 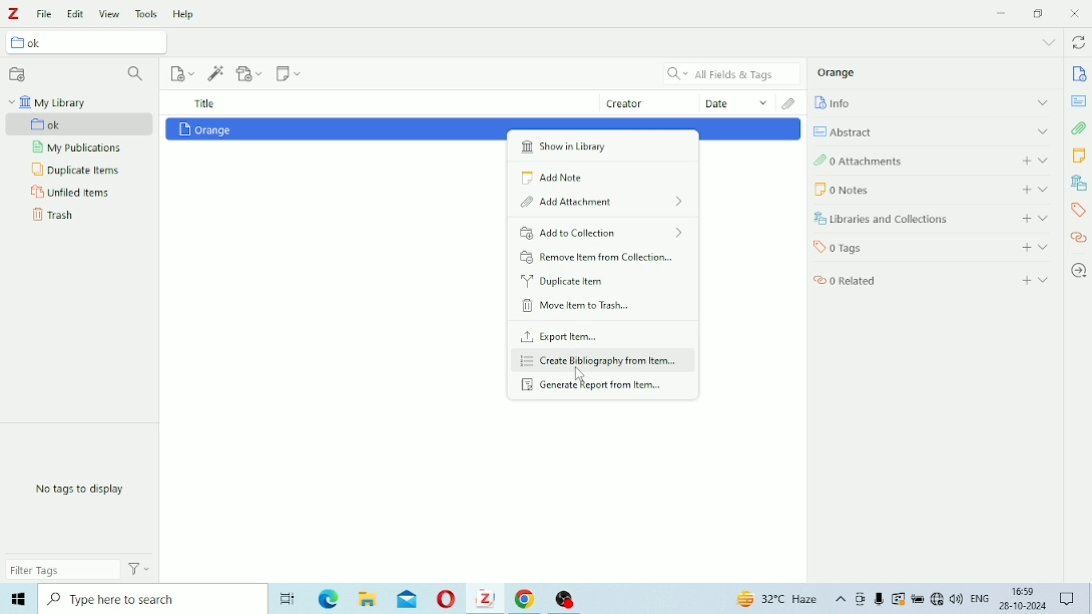 What do you see at coordinates (929, 159) in the screenshot?
I see `Attachments` at bounding box center [929, 159].